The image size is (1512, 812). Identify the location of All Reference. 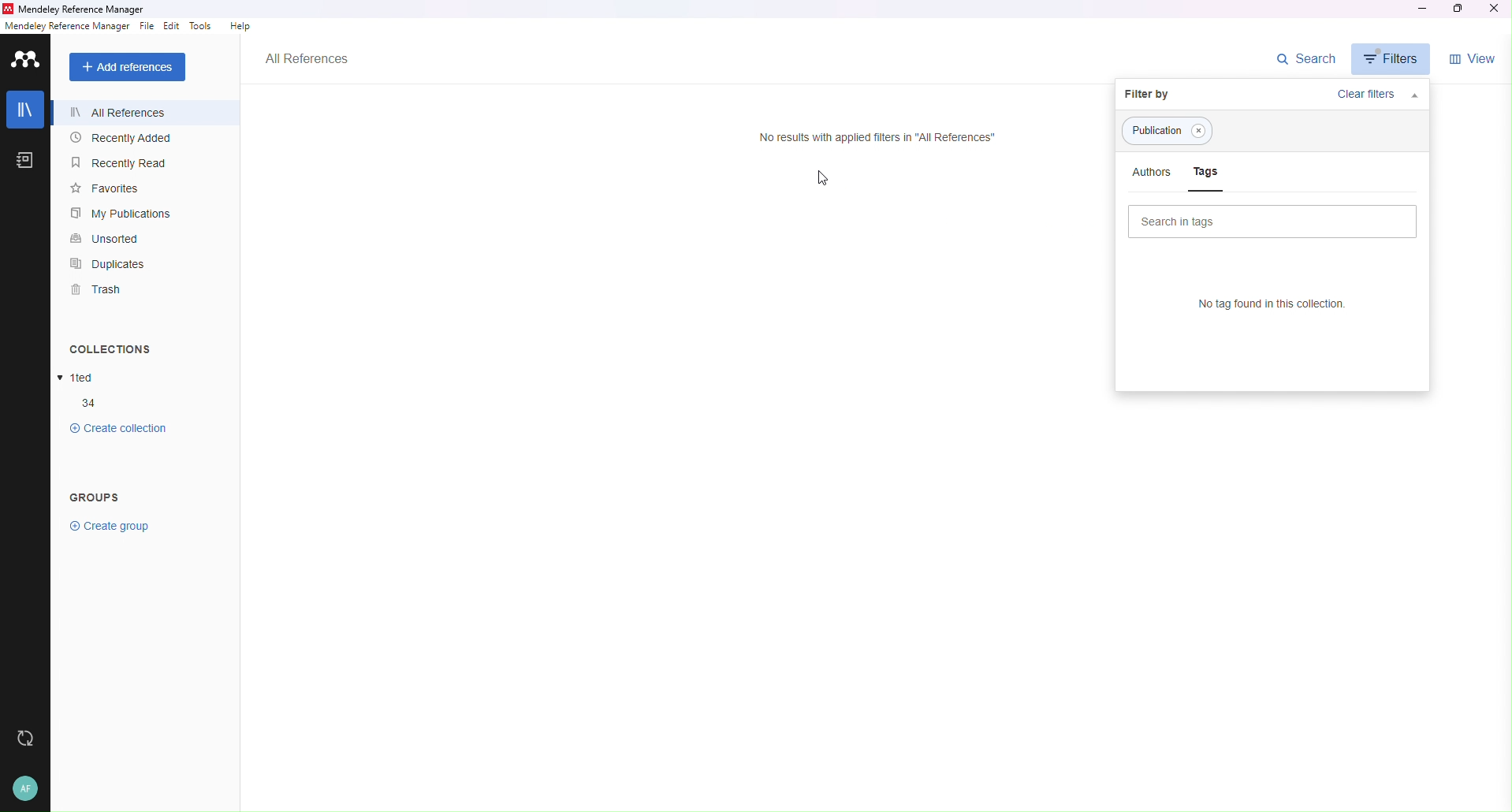
(130, 110).